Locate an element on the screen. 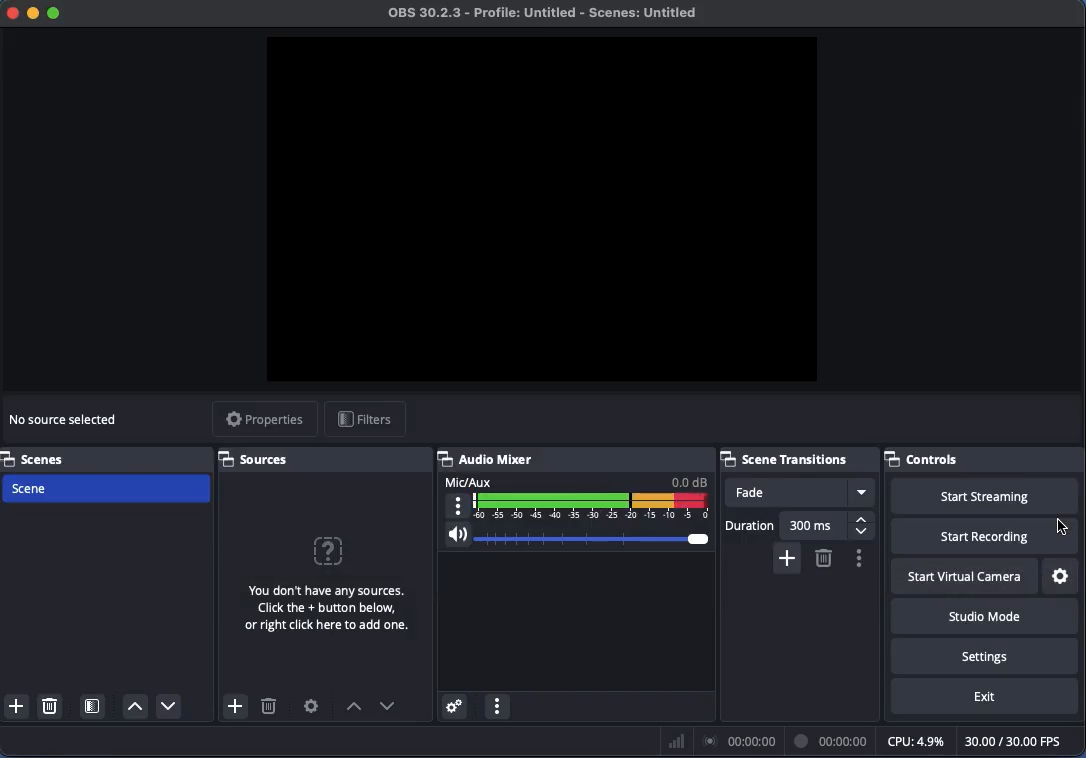 This screenshot has height=758, width=1086. Time is located at coordinates (833, 740).